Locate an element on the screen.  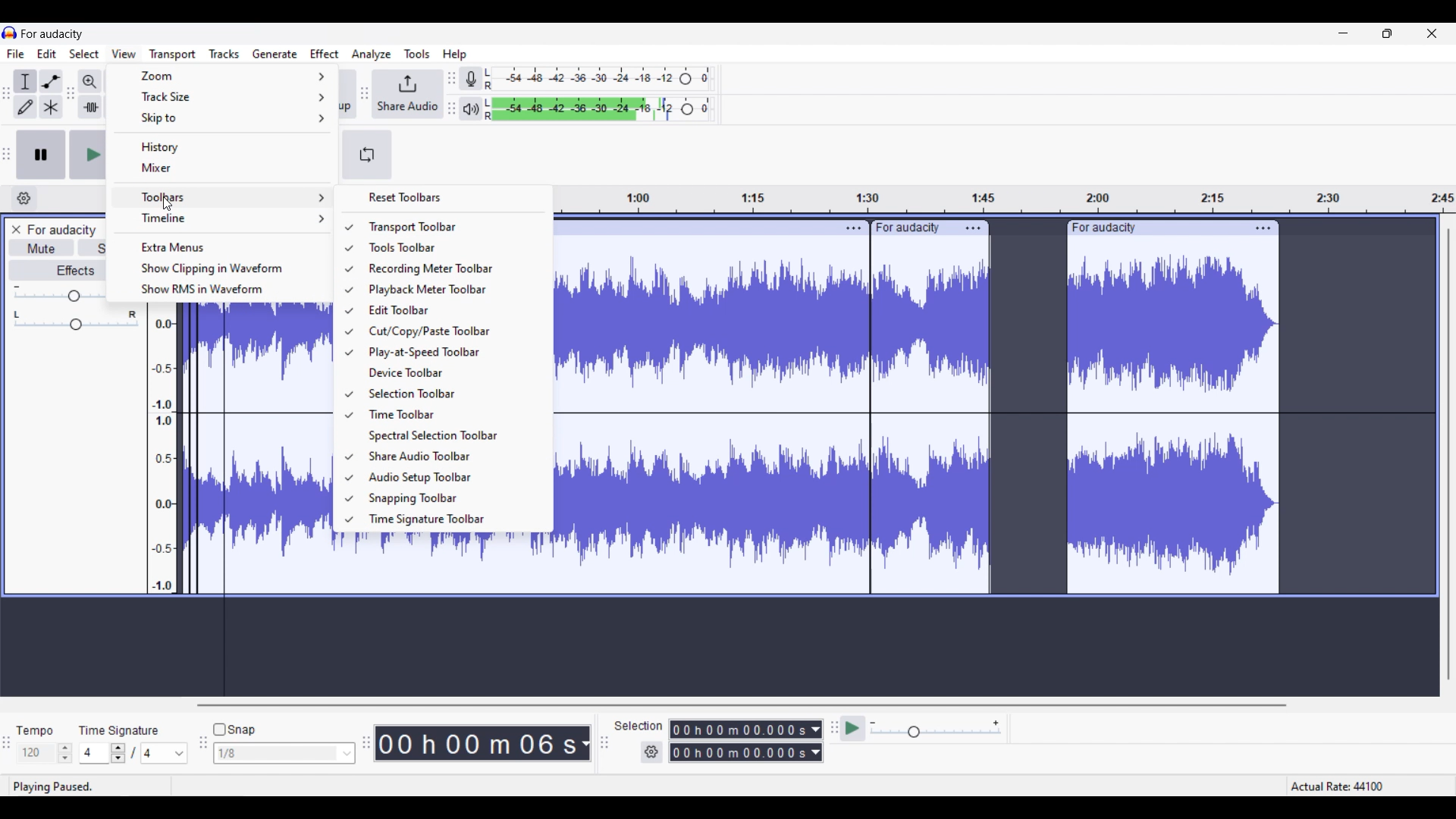
Help menu is located at coordinates (455, 55).